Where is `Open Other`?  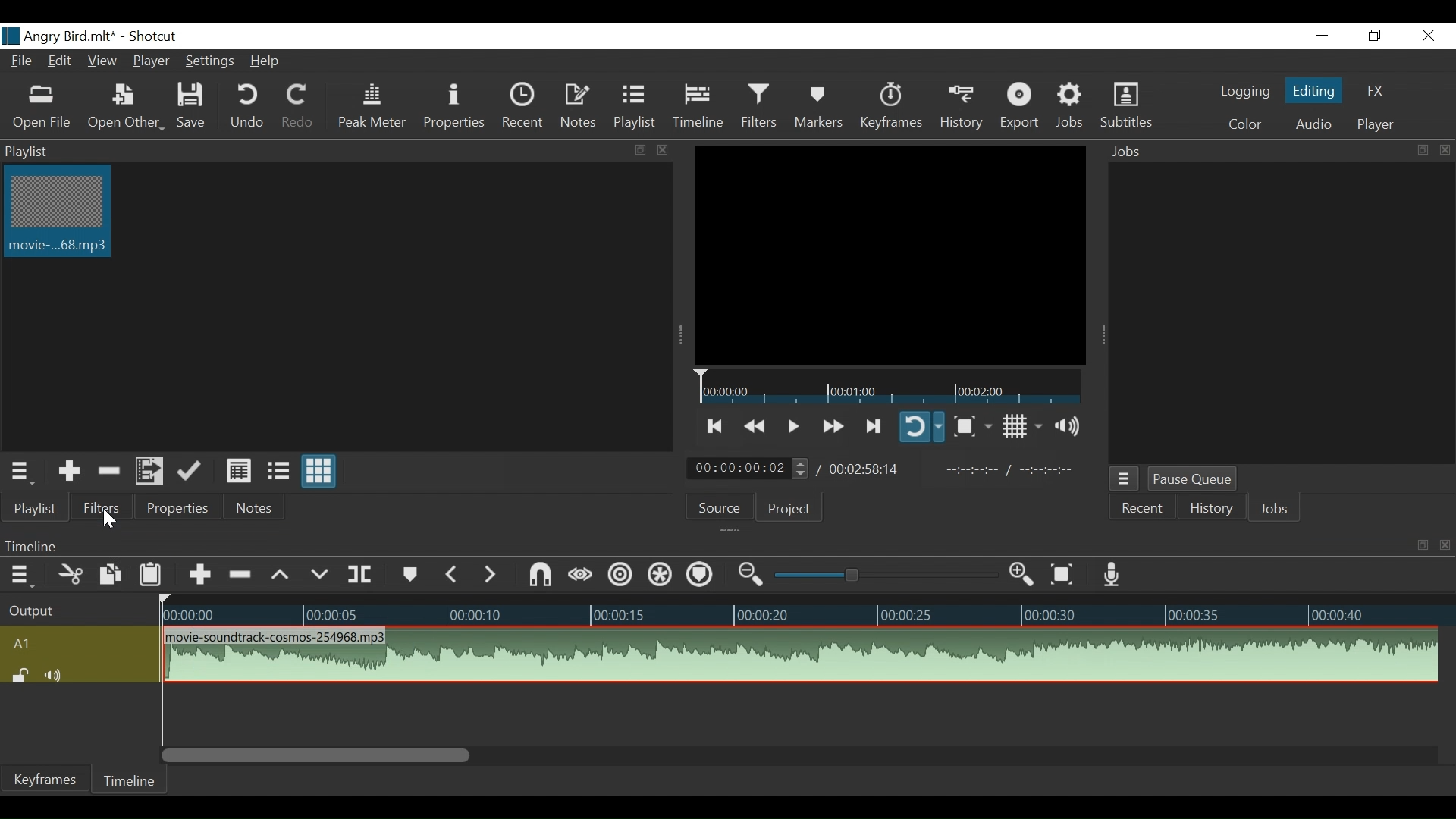
Open Other is located at coordinates (125, 108).